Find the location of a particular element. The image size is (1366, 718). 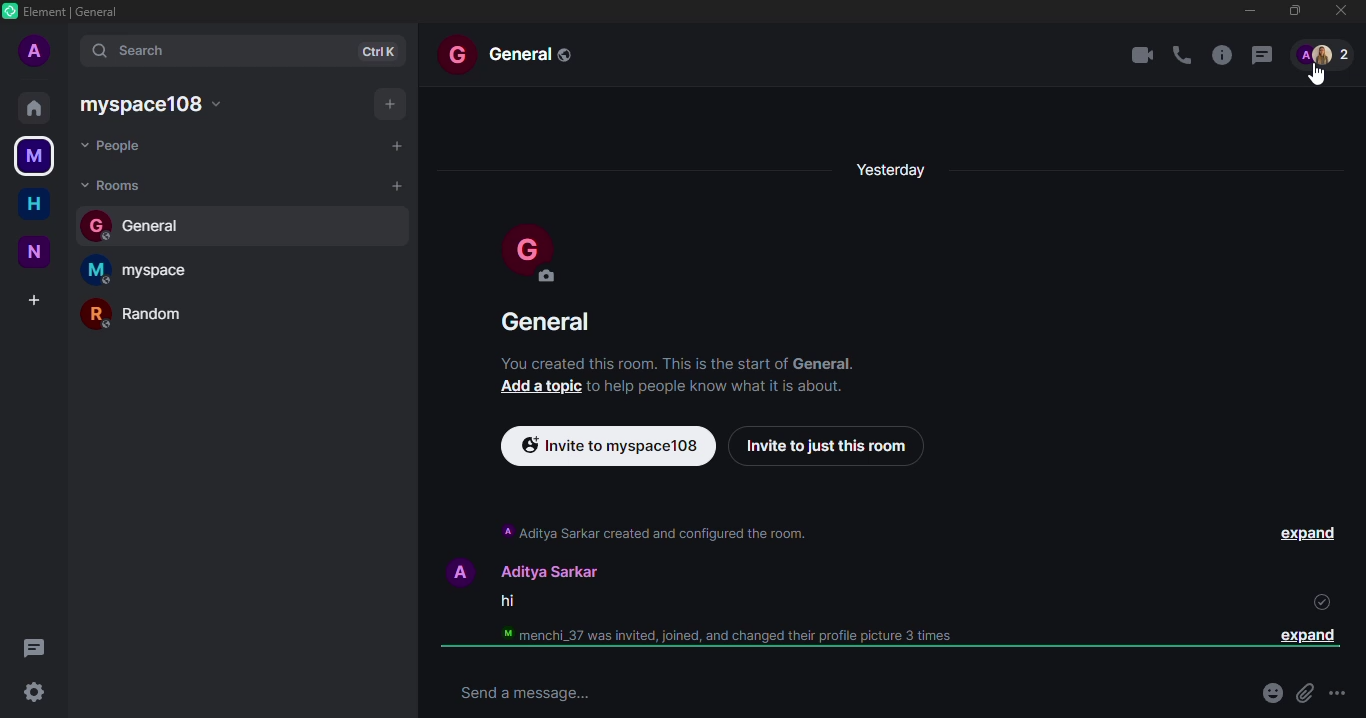

attach is located at coordinates (1302, 694).